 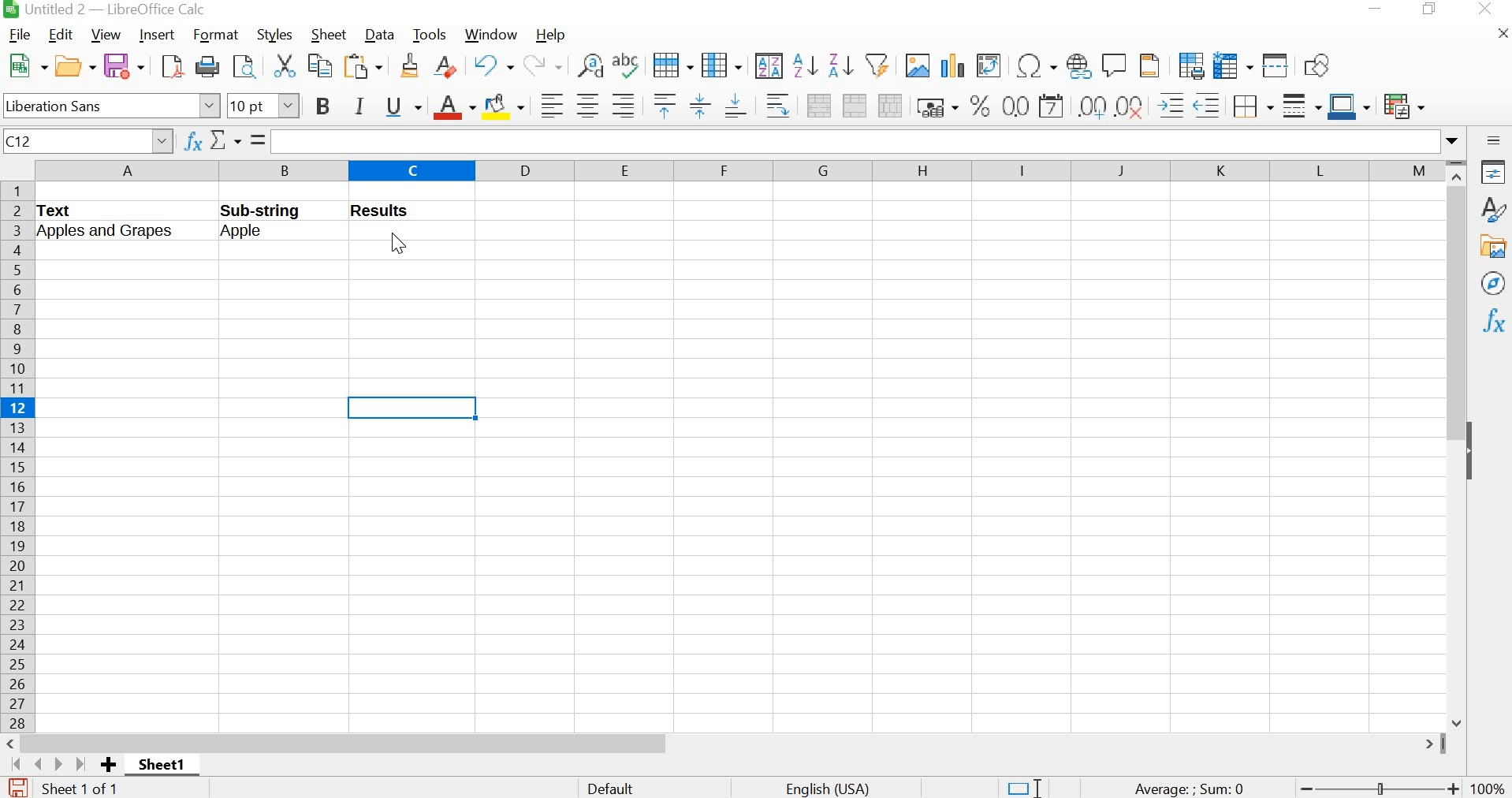 What do you see at coordinates (24, 64) in the screenshot?
I see `new` at bounding box center [24, 64].